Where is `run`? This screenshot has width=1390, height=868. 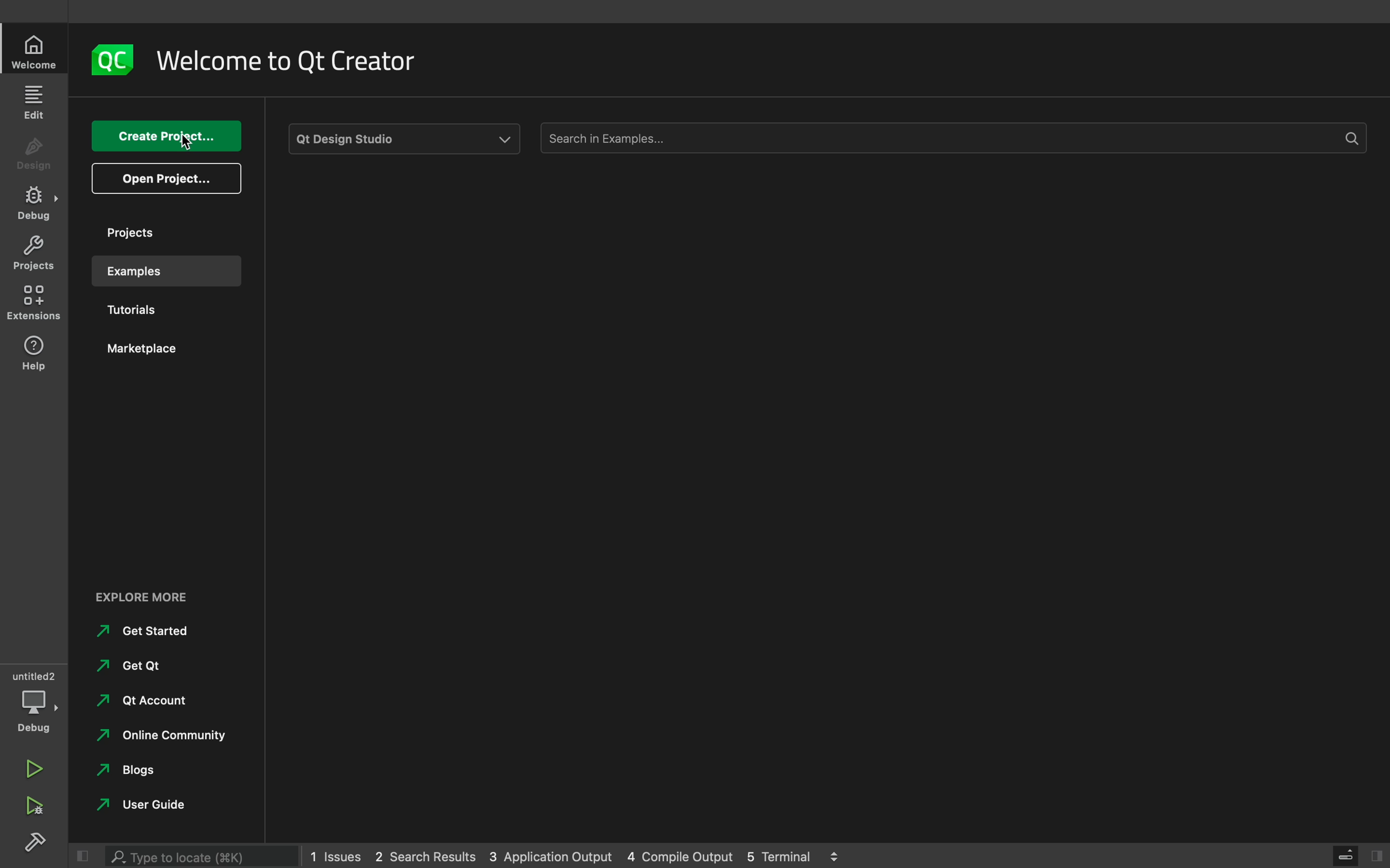 run is located at coordinates (34, 764).